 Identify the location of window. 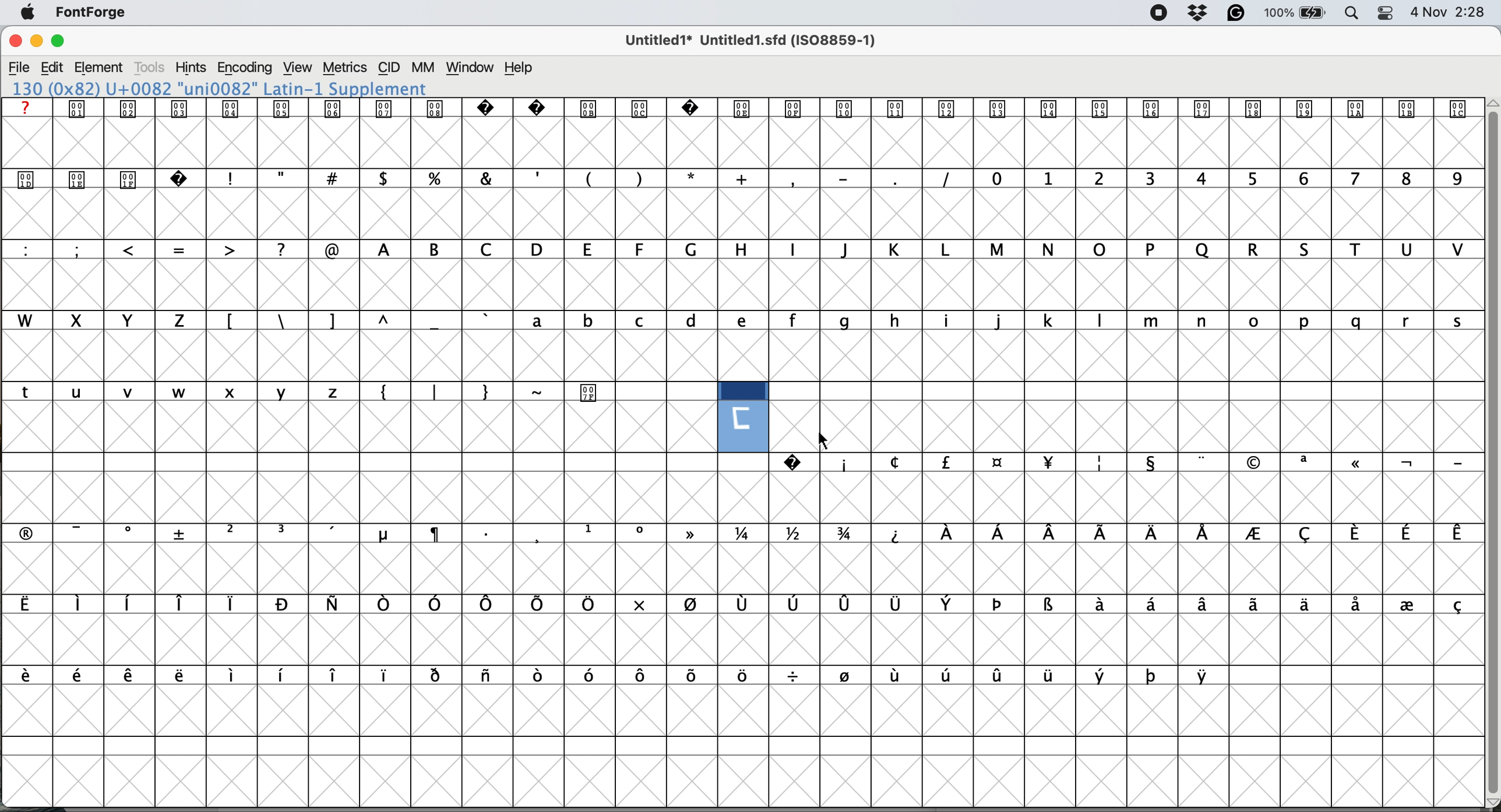
(472, 68).